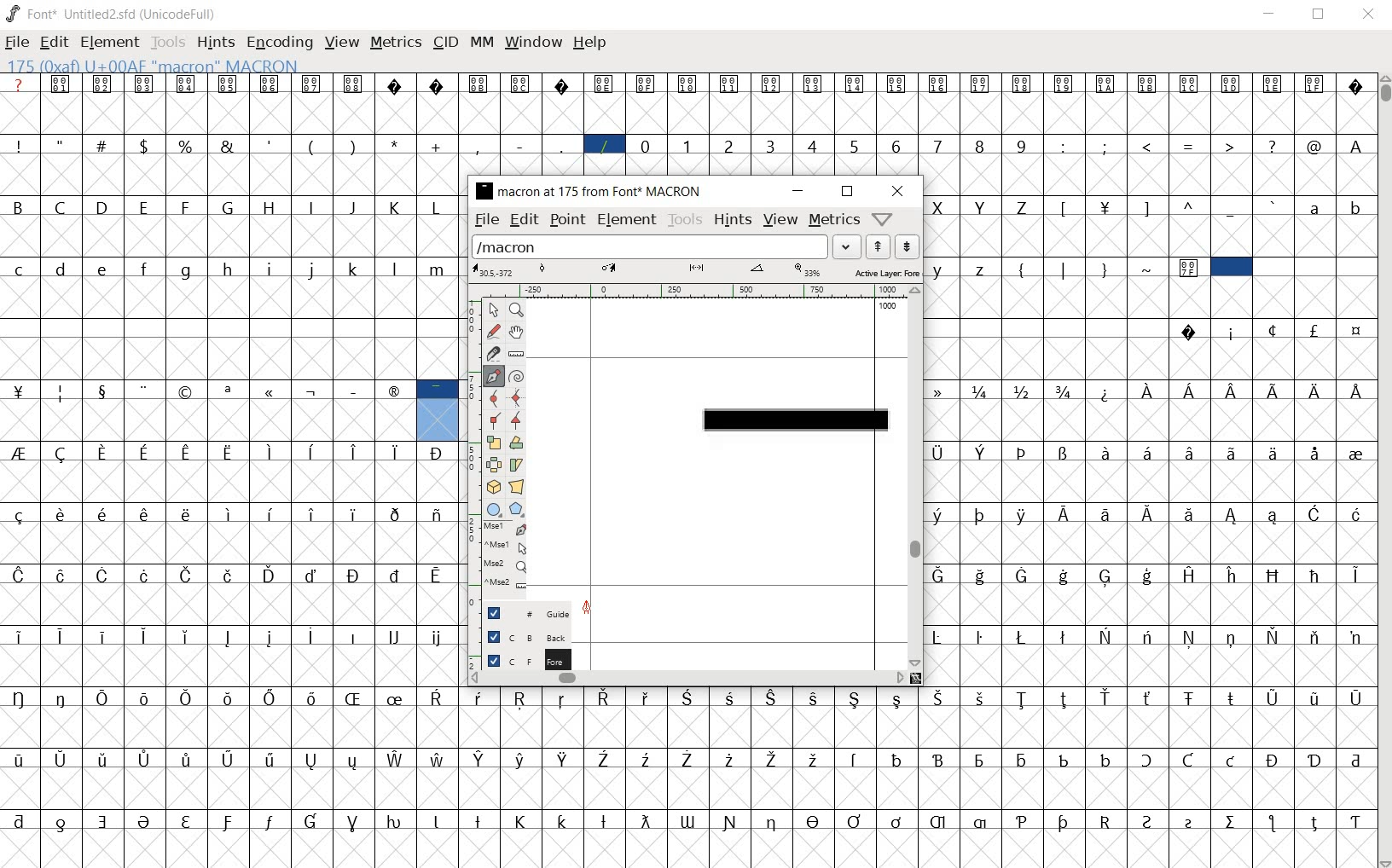 The height and width of the screenshot is (868, 1392). I want to click on Symbol, so click(1105, 85).